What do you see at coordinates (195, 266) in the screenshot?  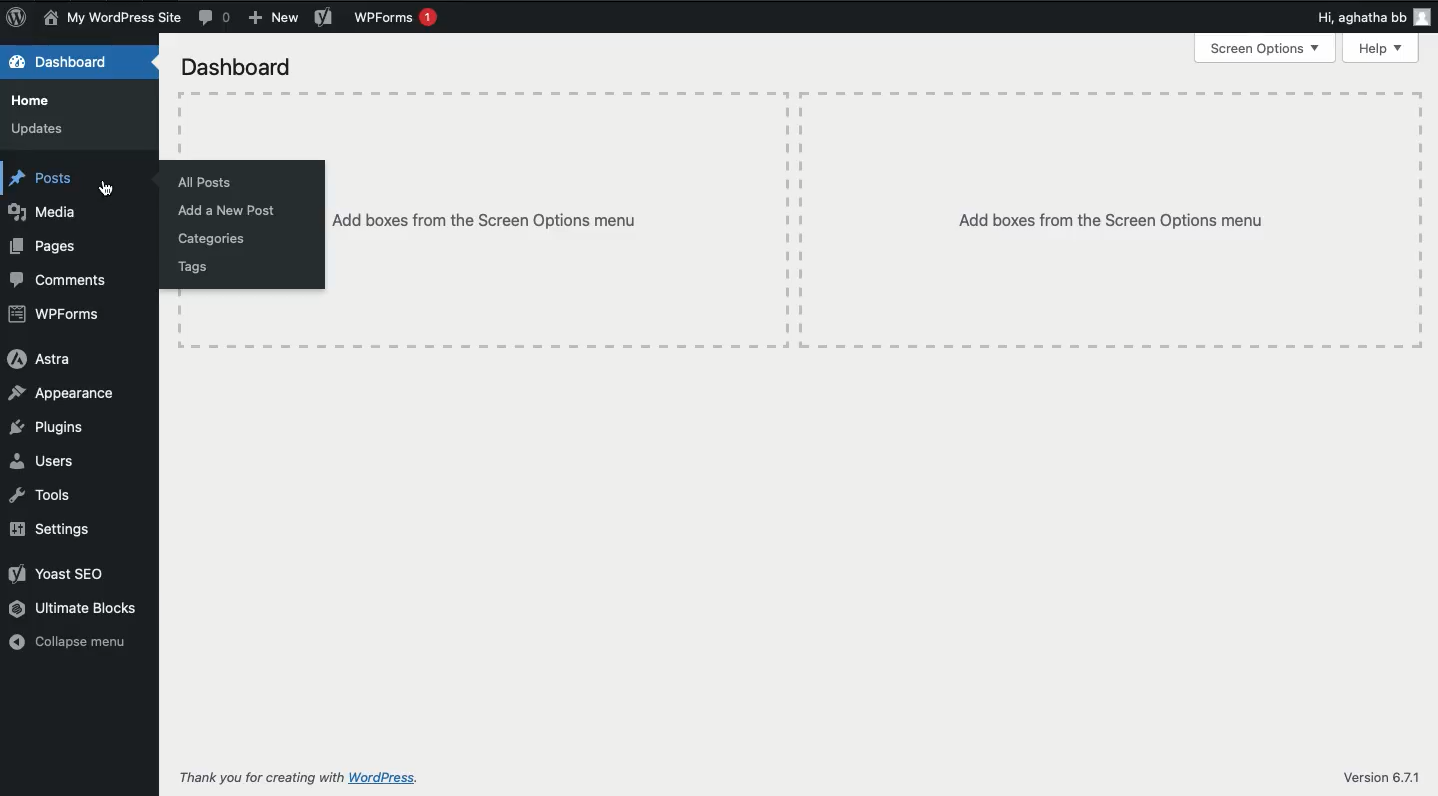 I see `Tags` at bounding box center [195, 266].